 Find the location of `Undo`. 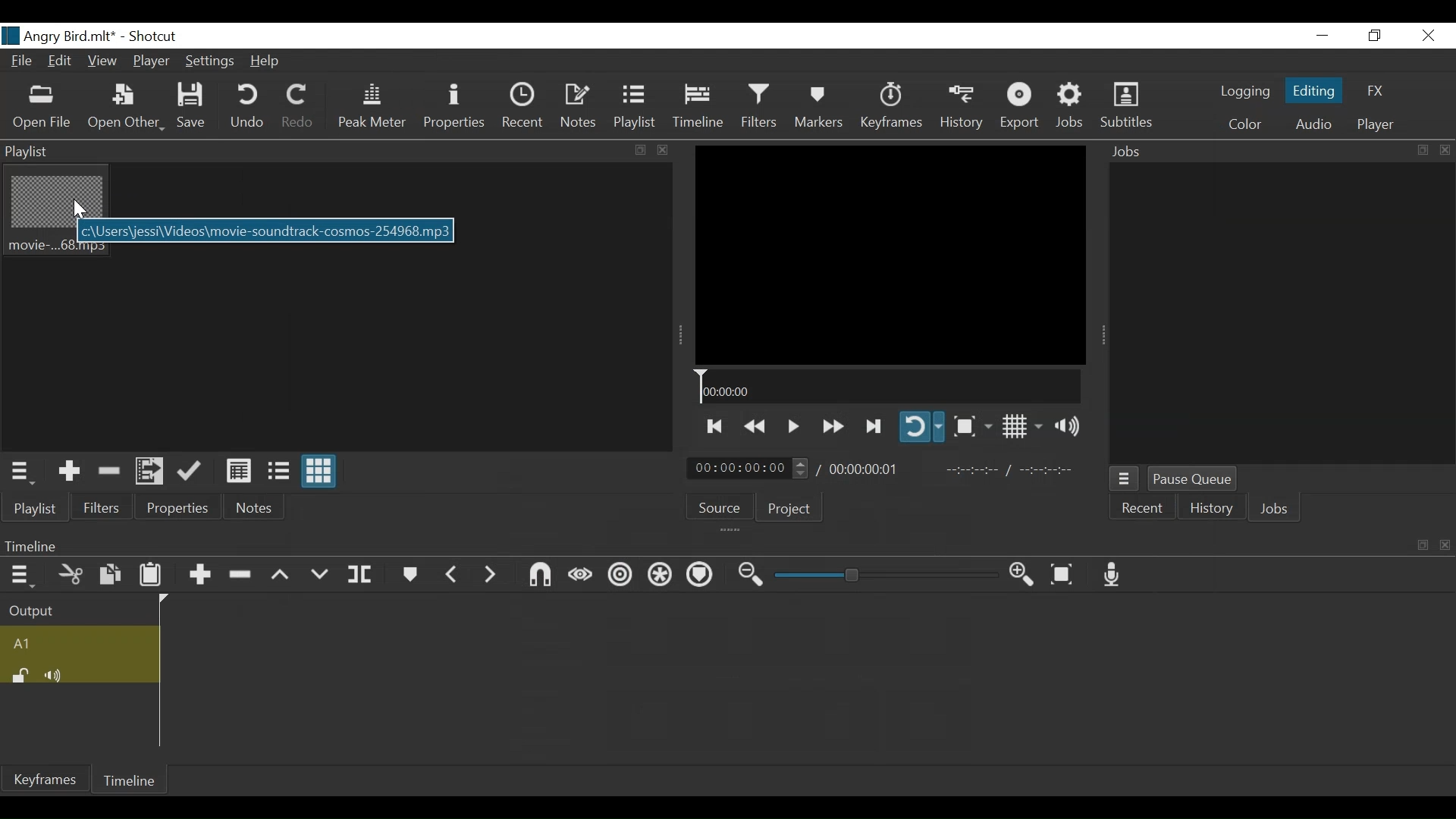

Undo is located at coordinates (247, 107).